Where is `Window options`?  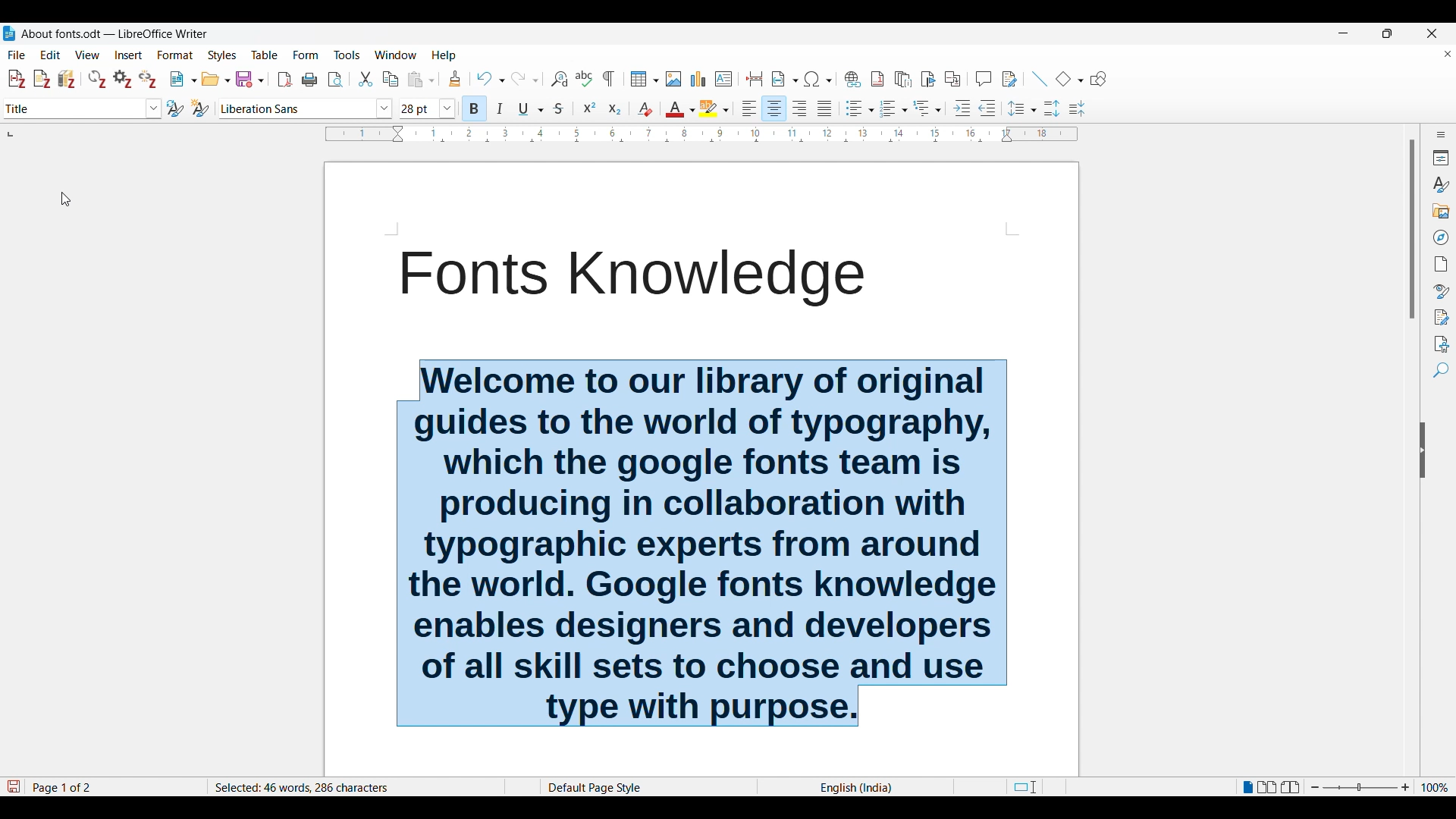 Window options is located at coordinates (396, 55).